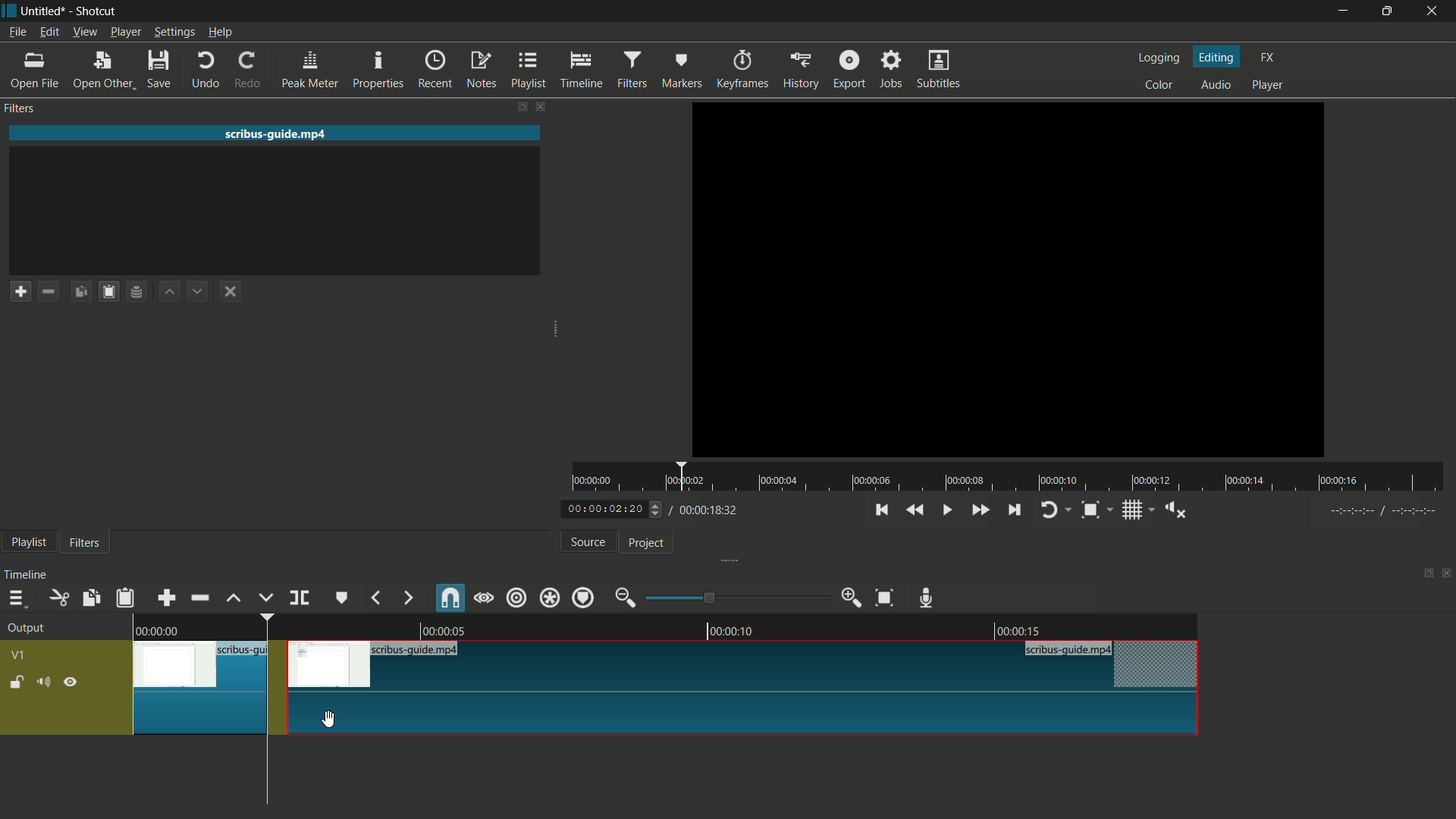  Describe the element at coordinates (645, 543) in the screenshot. I see `project` at that location.